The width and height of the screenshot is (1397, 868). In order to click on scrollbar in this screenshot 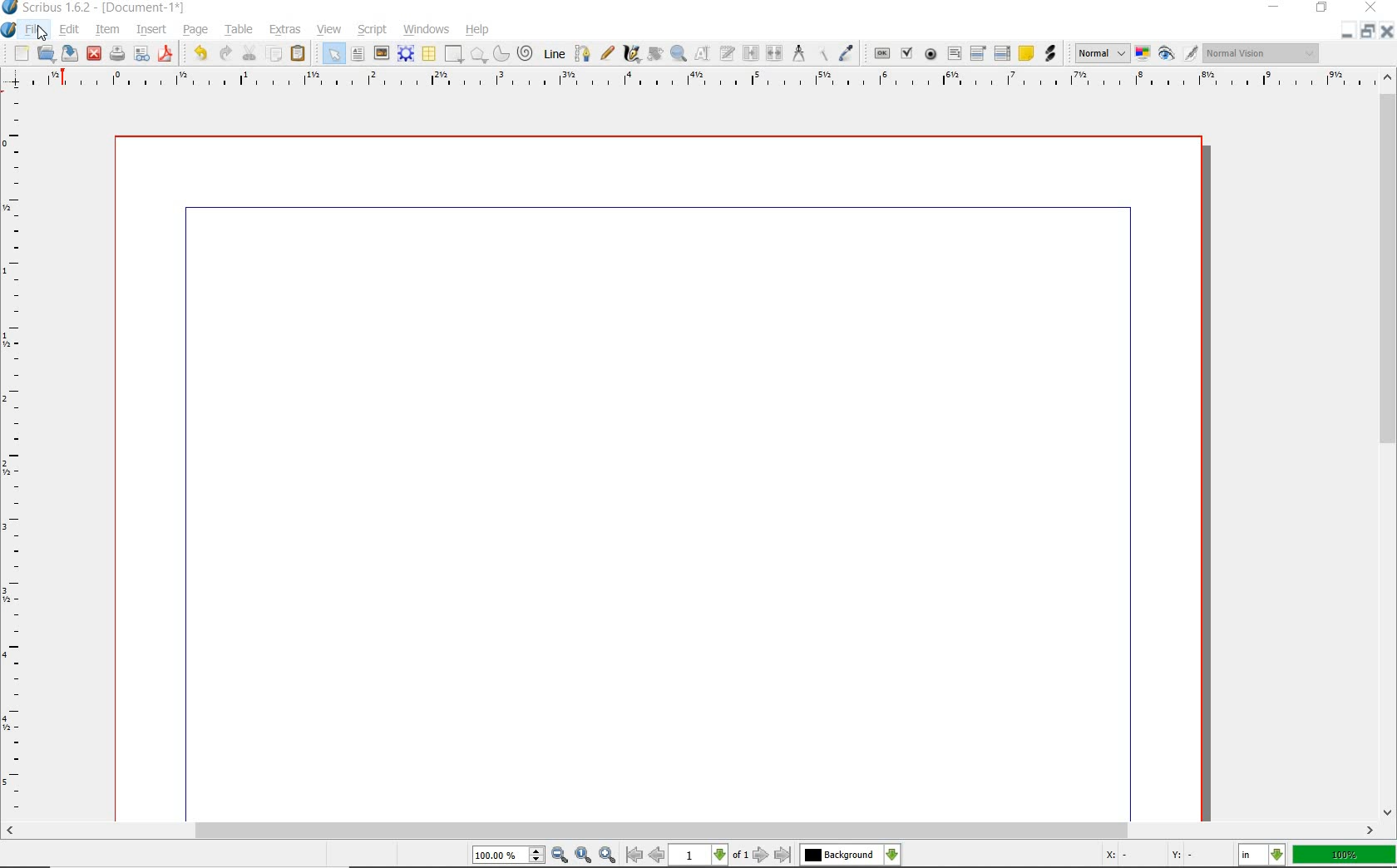, I will do `click(689, 831)`.